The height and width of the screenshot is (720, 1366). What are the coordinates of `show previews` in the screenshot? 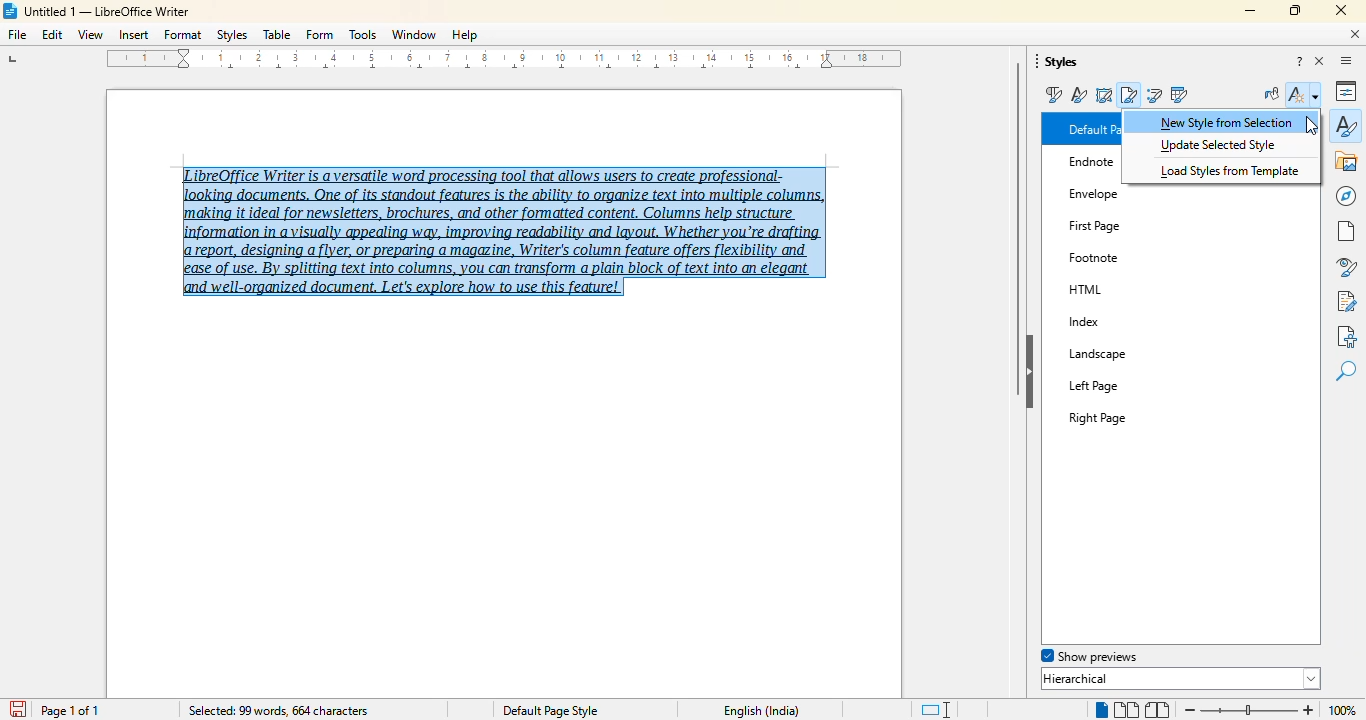 It's located at (1087, 656).